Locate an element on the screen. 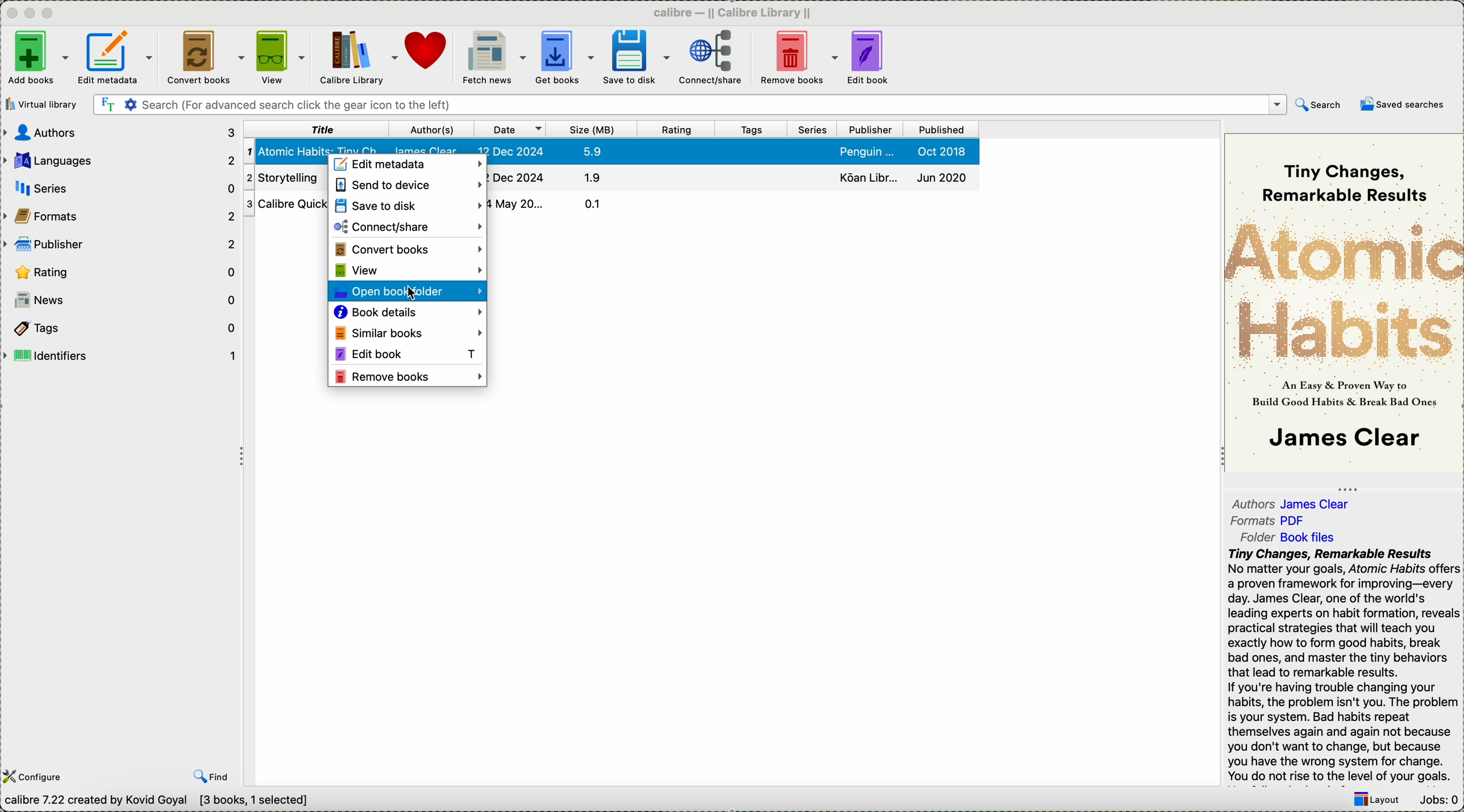 The image size is (1464, 812). remove books is located at coordinates (798, 59).